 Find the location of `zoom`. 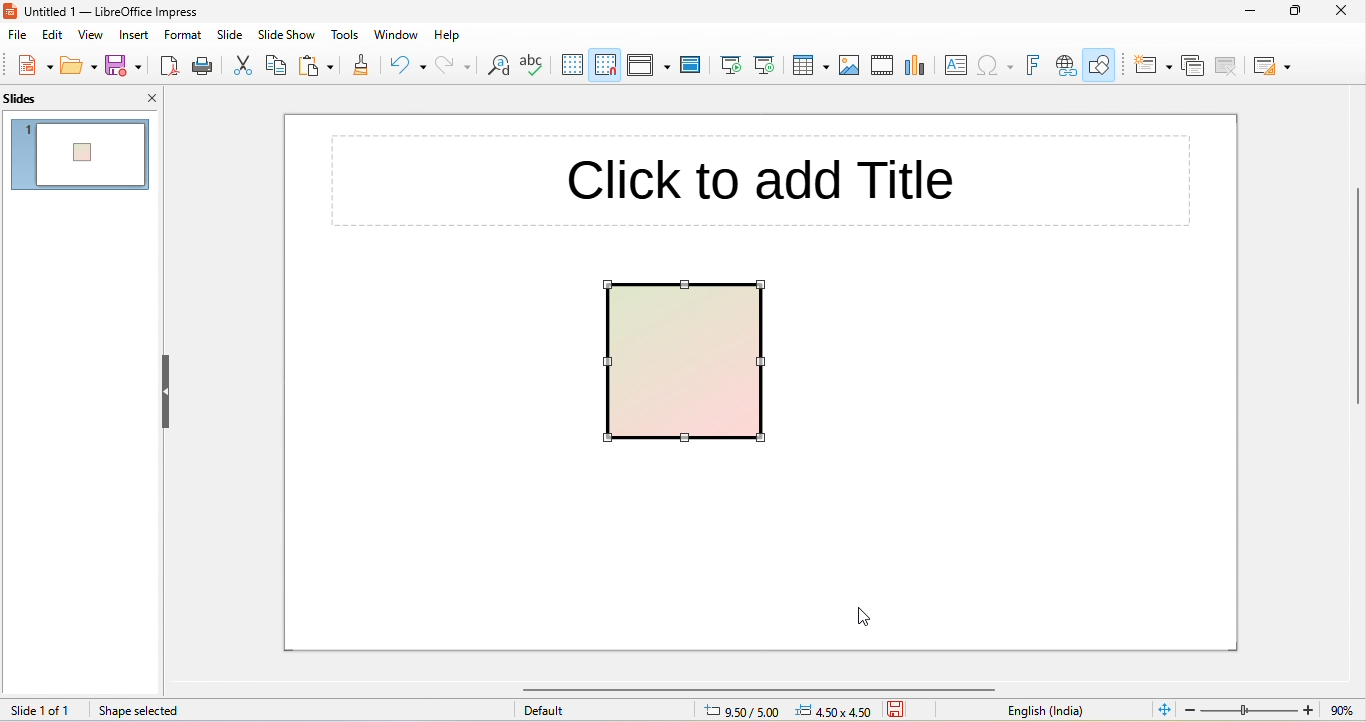

zoom is located at coordinates (1274, 709).